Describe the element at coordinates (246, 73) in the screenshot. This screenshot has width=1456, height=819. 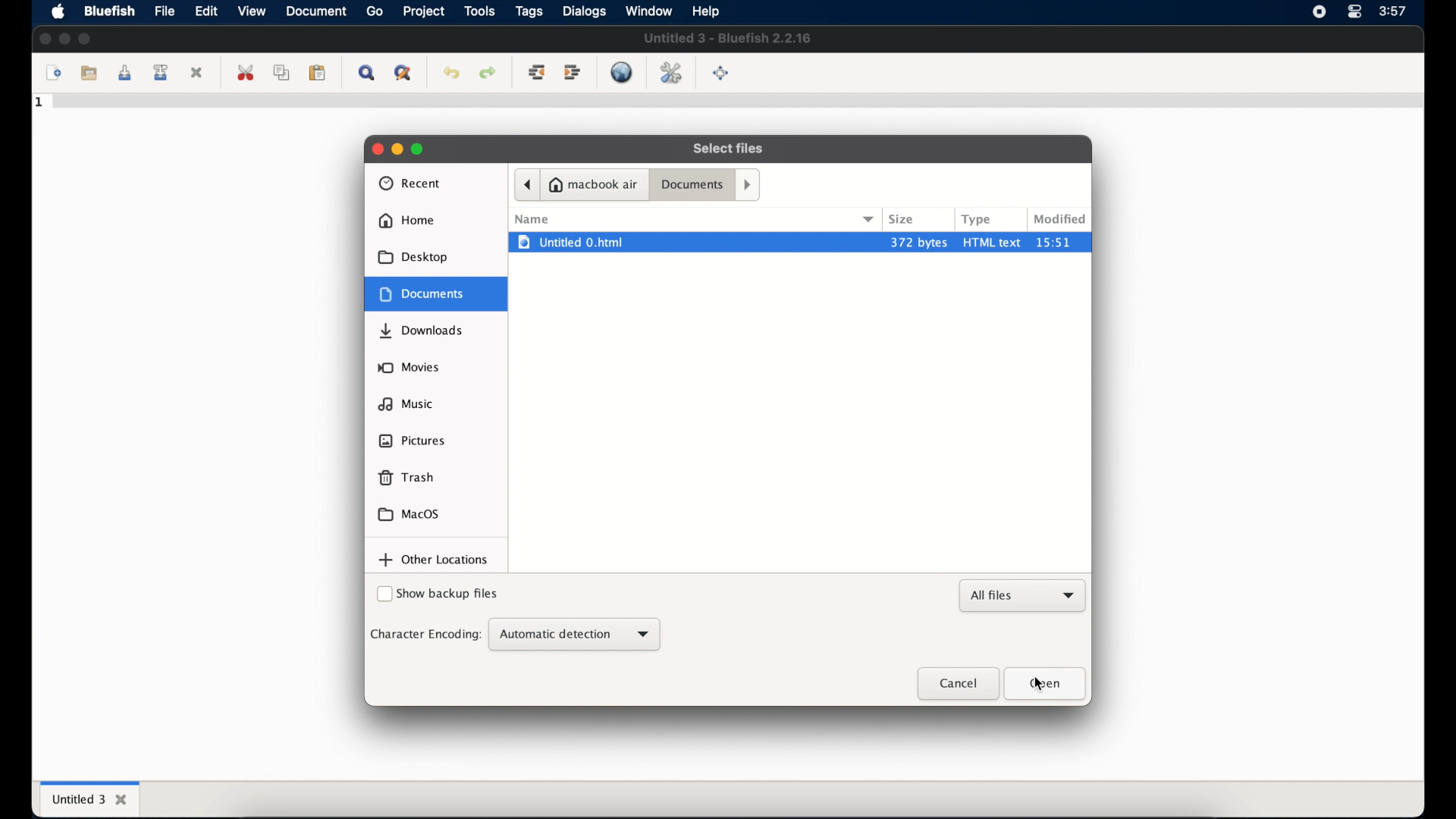
I see `cut` at that location.